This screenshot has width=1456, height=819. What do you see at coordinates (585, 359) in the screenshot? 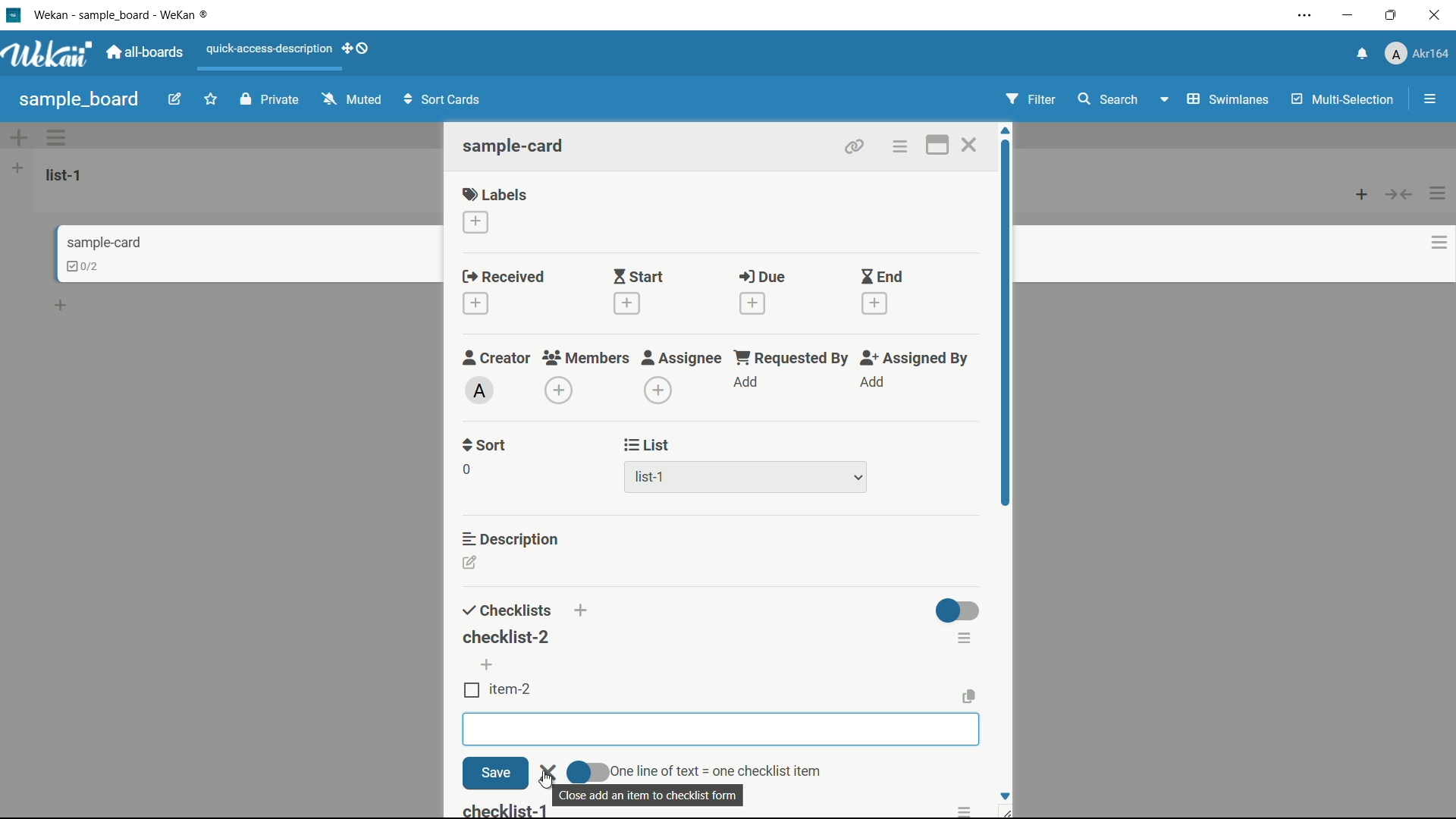
I see `members` at bounding box center [585, 359].